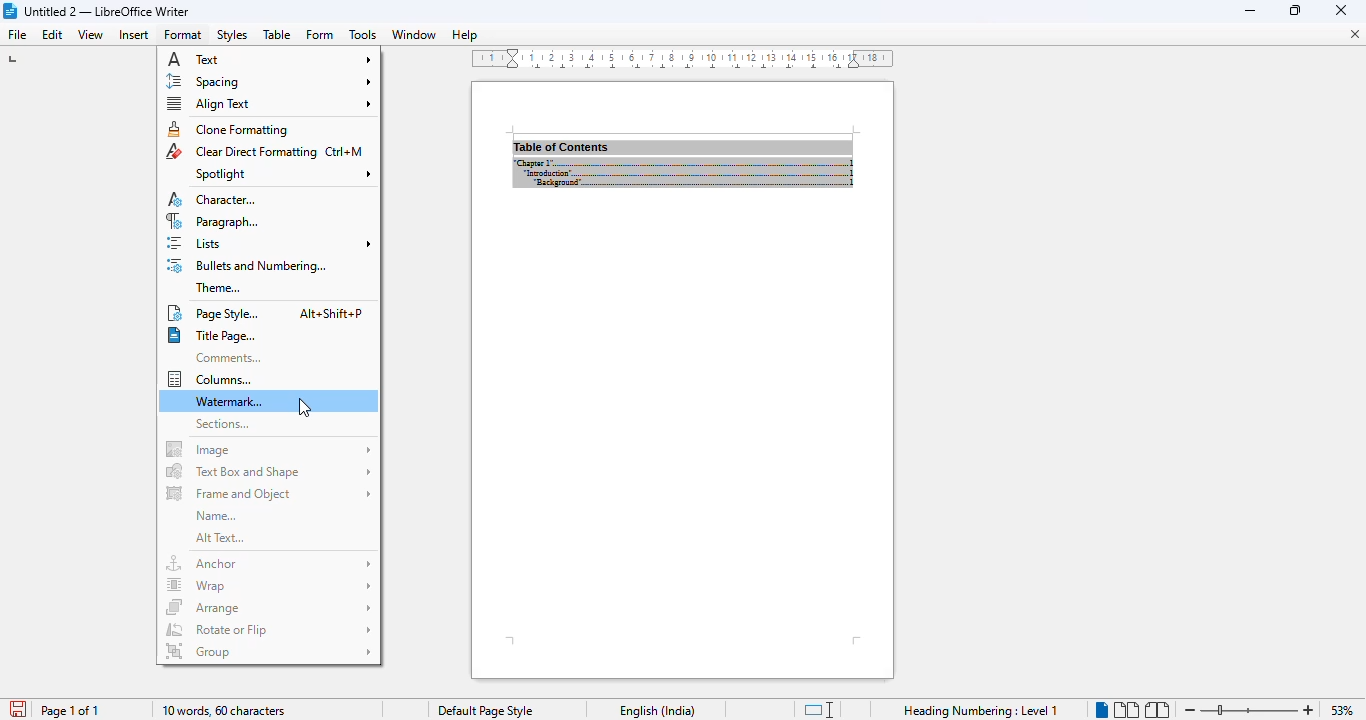 The image size is (1366, 720). What do you see at coordinates (1341, 10) in the screenshot?
I see `minimize` at bounding box center [1341, 10].